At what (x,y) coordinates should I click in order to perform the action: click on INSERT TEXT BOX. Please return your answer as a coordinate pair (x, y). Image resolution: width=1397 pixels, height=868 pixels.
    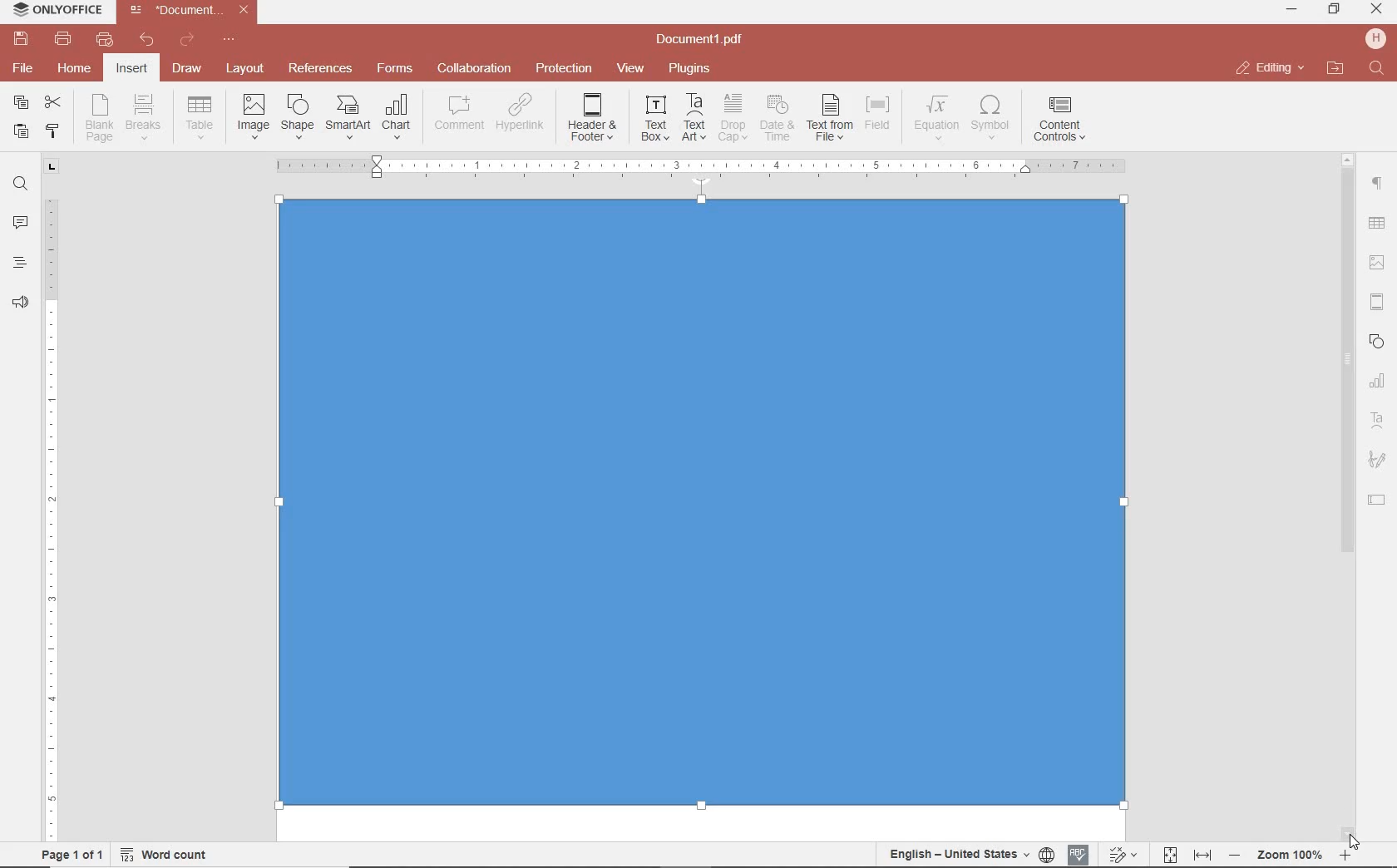
    Looking at the image, I should click on (654, 117).